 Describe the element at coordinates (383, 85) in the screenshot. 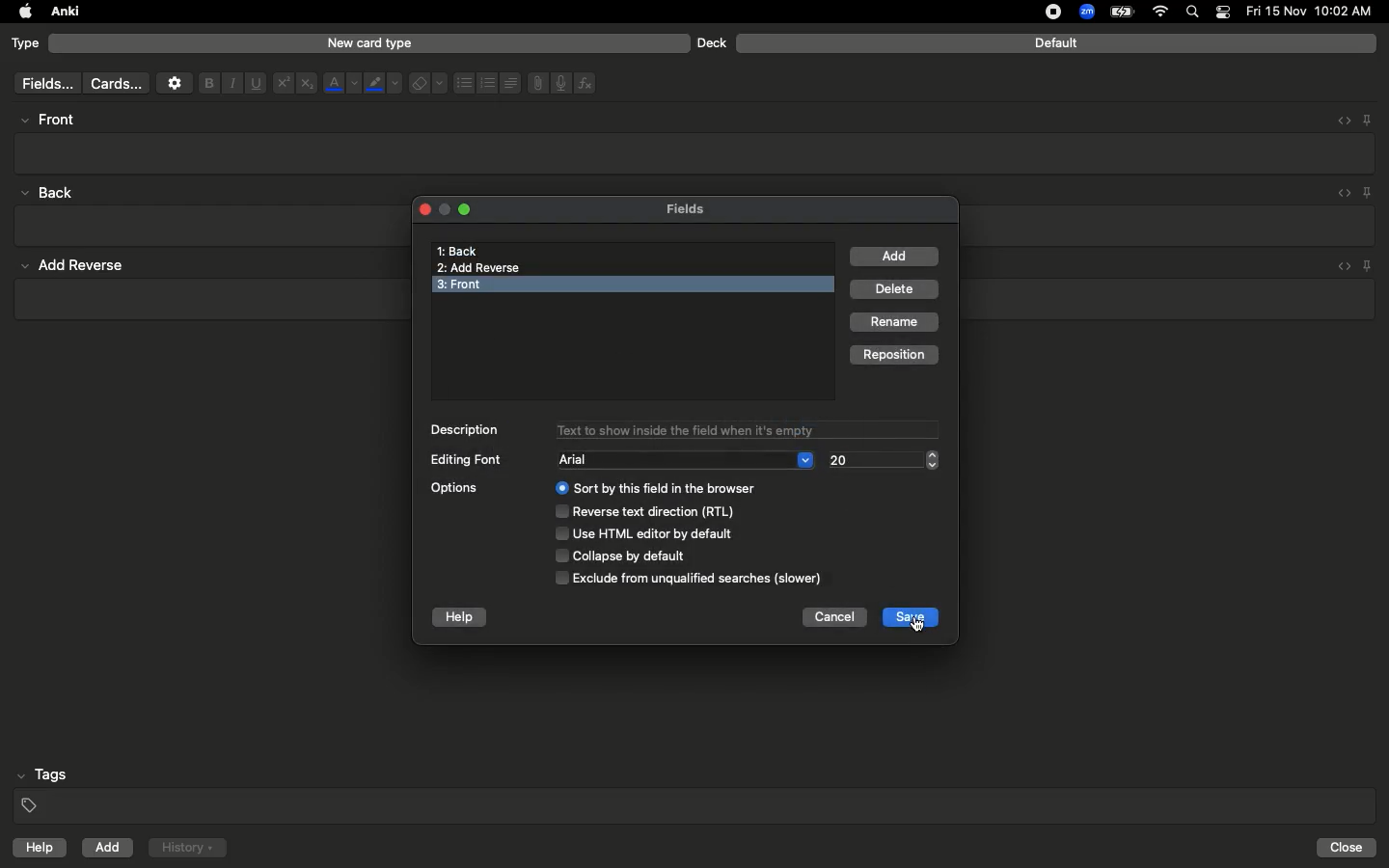

I see `Marker` at that location.